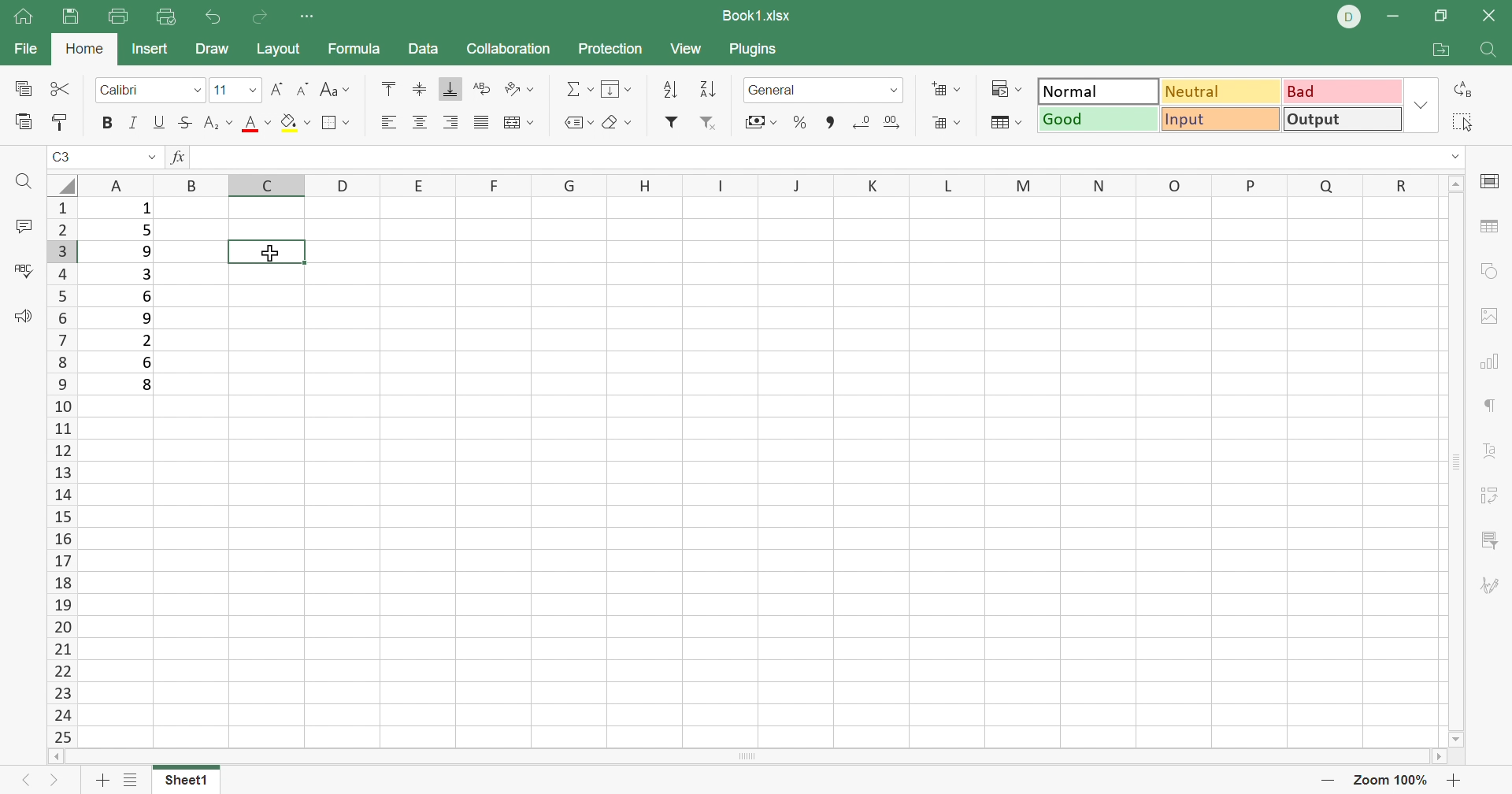 This screenshot has width=1512, height=794. I want to click on View, so click(685, 47).